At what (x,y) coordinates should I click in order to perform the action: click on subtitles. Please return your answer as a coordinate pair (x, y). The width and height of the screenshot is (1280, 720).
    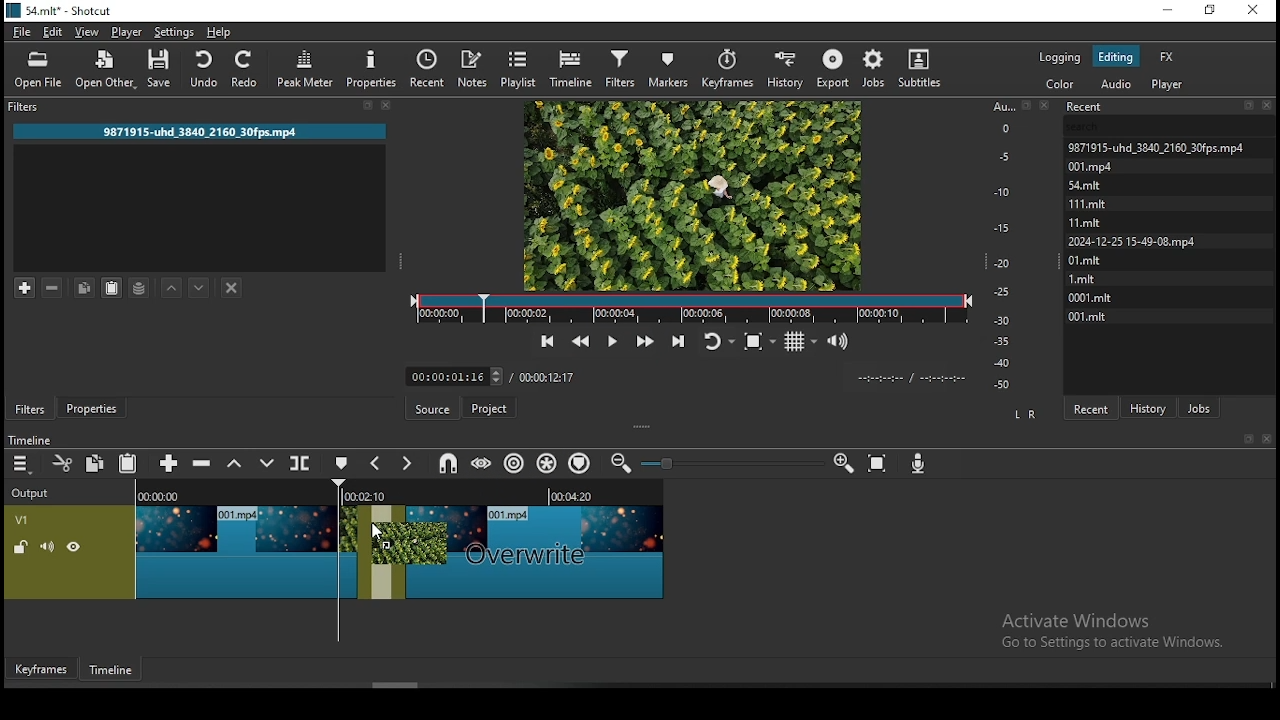
    Looking at the image, I should click on (917, 69).